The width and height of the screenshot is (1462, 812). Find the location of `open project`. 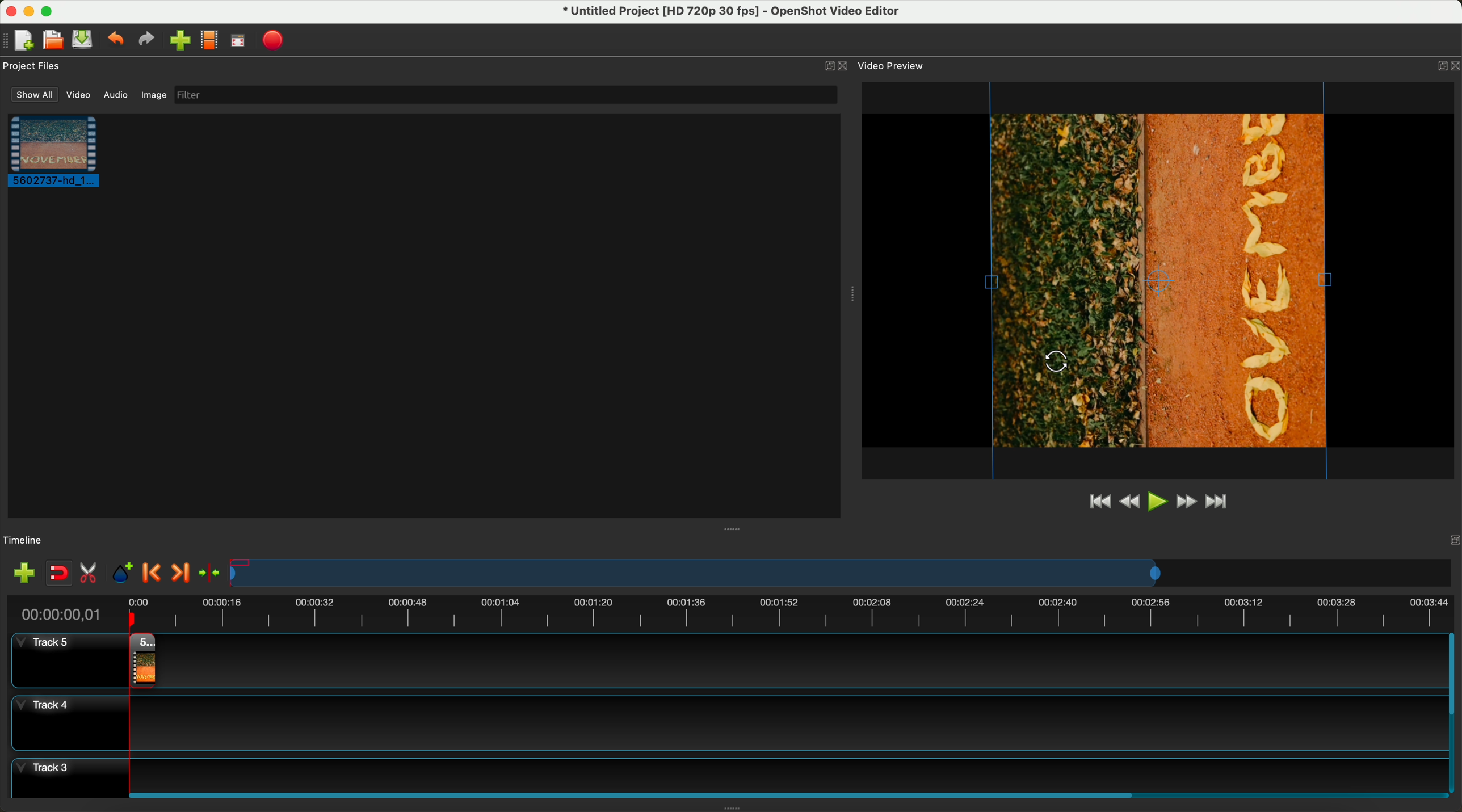

open project is located at coordinates (52, 37).